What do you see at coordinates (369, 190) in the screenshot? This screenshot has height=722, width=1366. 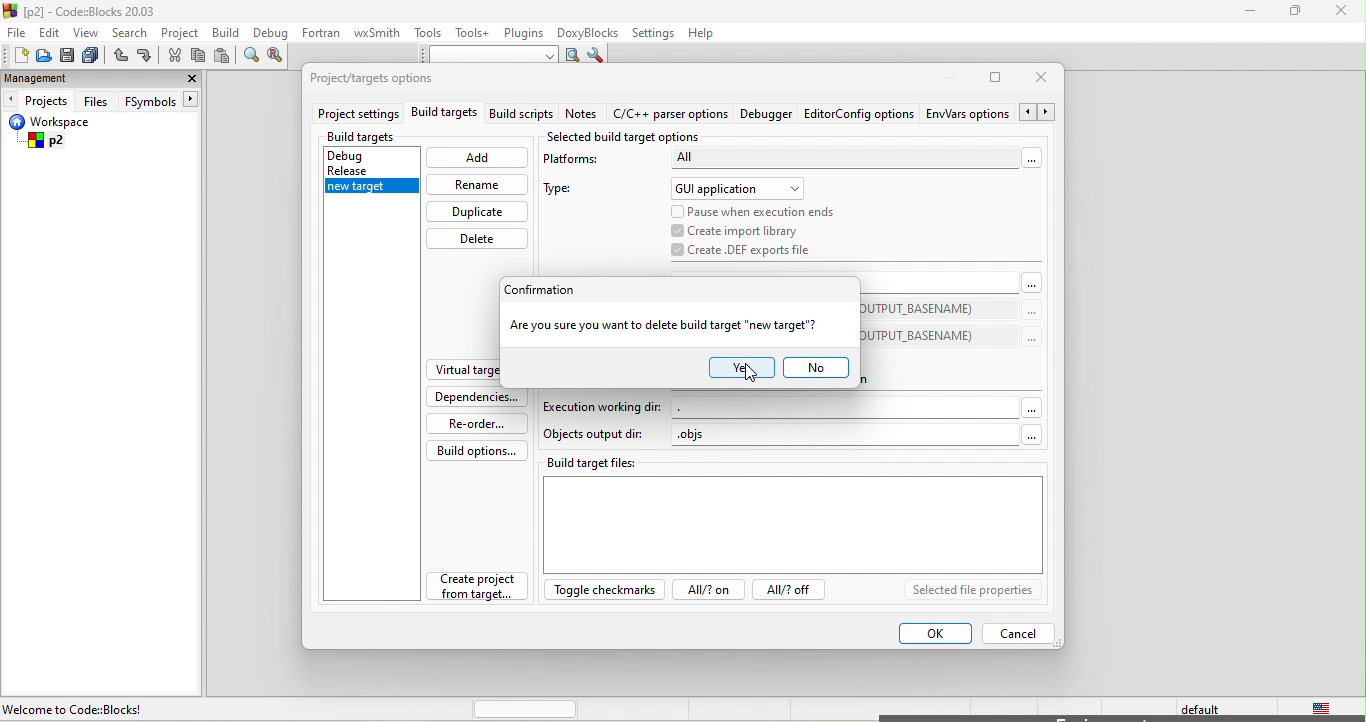 I see `new target` at bounding box center [369, 190].